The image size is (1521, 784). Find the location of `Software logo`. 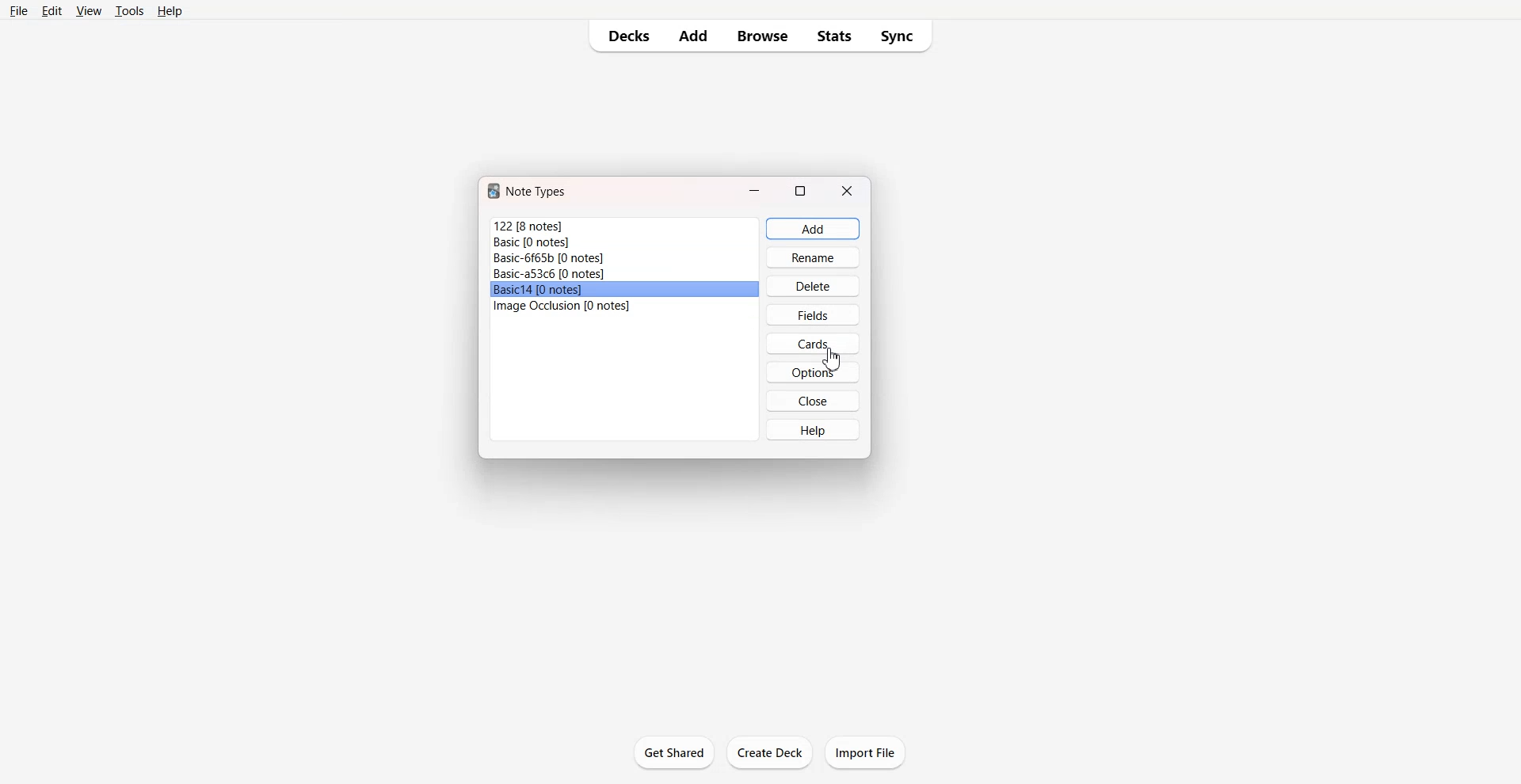

Software logo is located at coordinates (494, 191).